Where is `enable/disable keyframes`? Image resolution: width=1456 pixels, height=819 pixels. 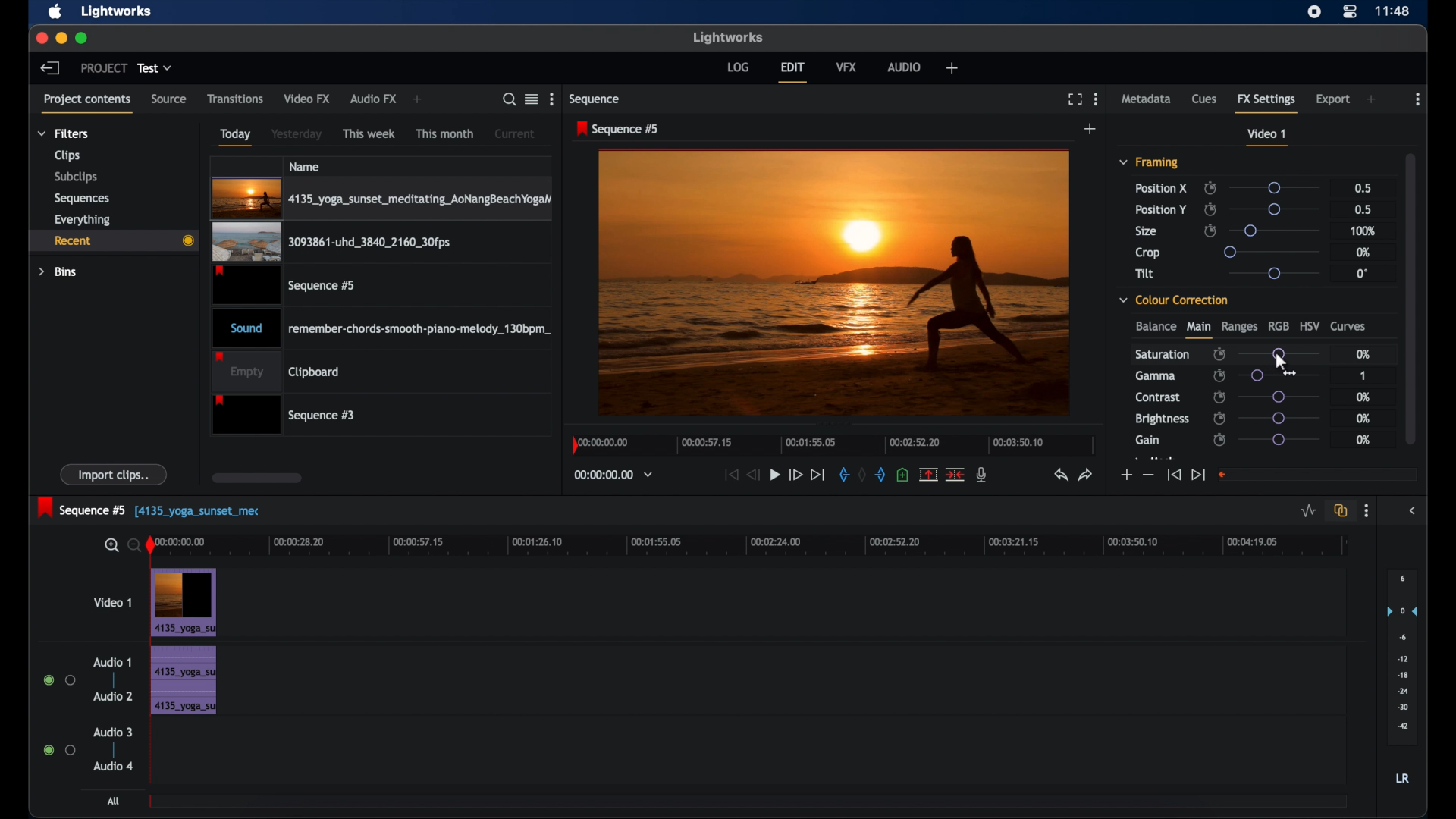
enable/disable keyframes is located at coordinates (1219, 375).